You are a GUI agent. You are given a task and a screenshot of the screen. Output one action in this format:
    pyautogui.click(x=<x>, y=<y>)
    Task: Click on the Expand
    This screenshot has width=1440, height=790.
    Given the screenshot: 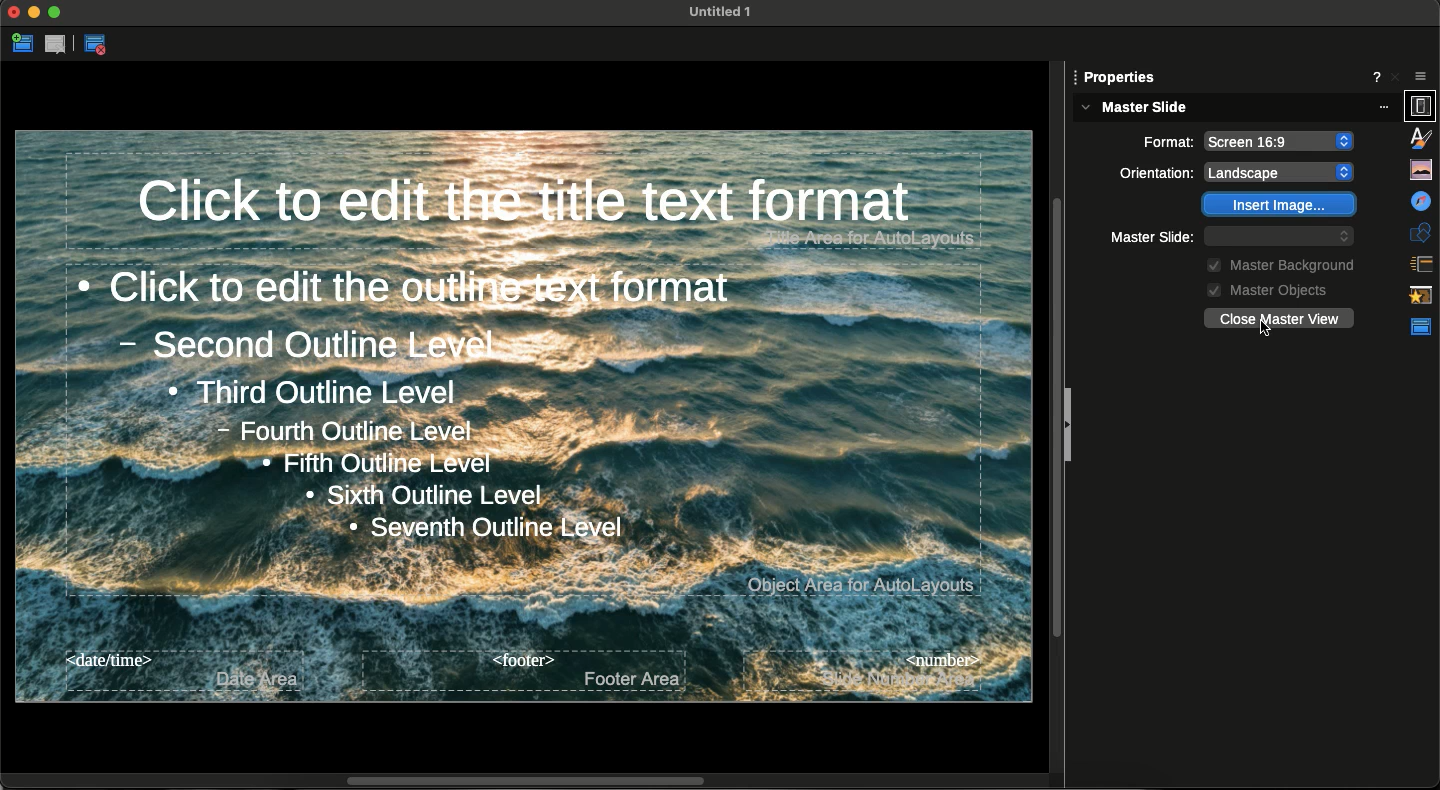 What is the action you would take?
    pyautogui.click(x=55, y=12)
    